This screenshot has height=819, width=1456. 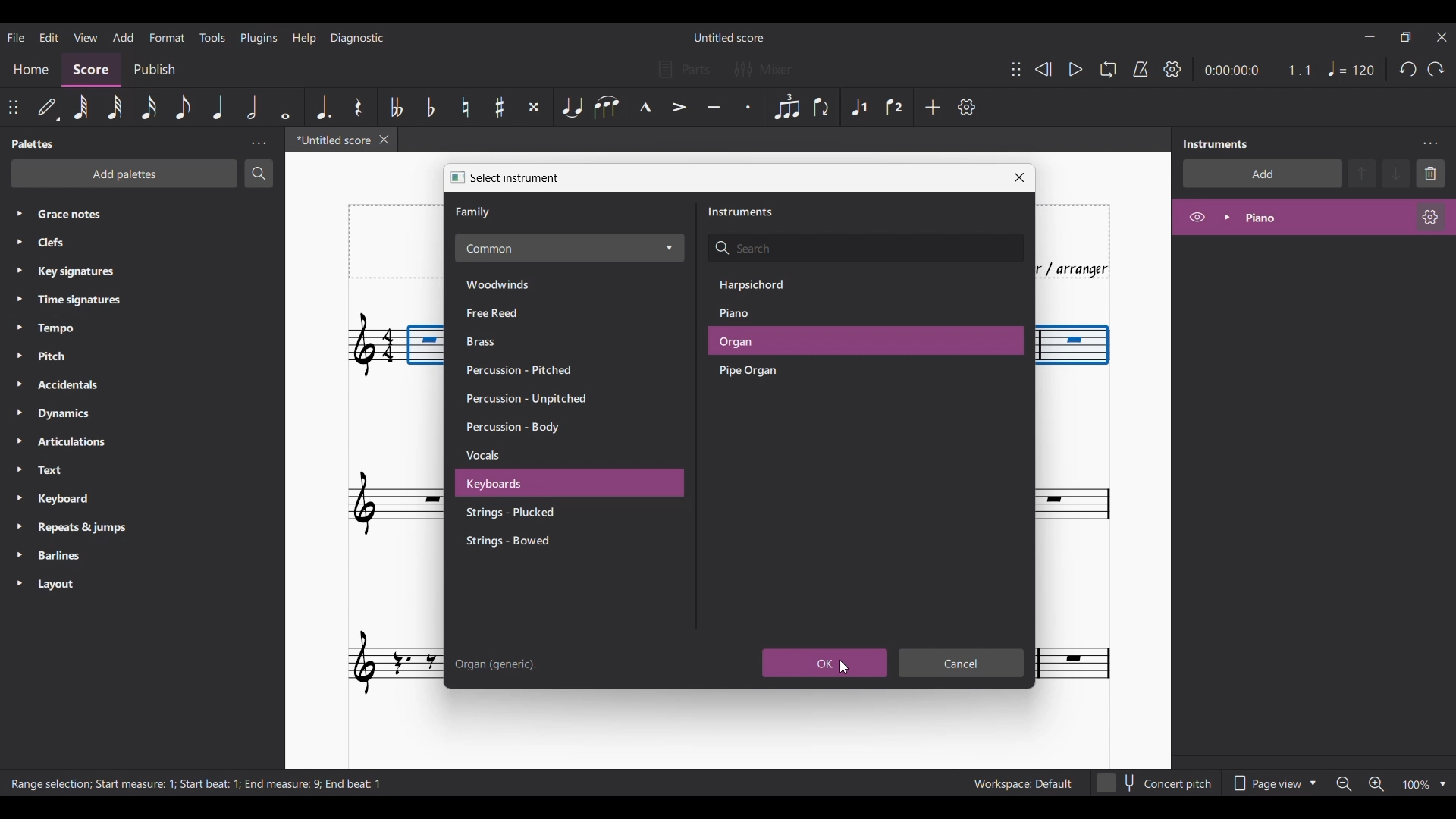 What do you see at coordinates (531, 457) in the screenshot?
I see `Vocals` at bounding box center [531, 457].